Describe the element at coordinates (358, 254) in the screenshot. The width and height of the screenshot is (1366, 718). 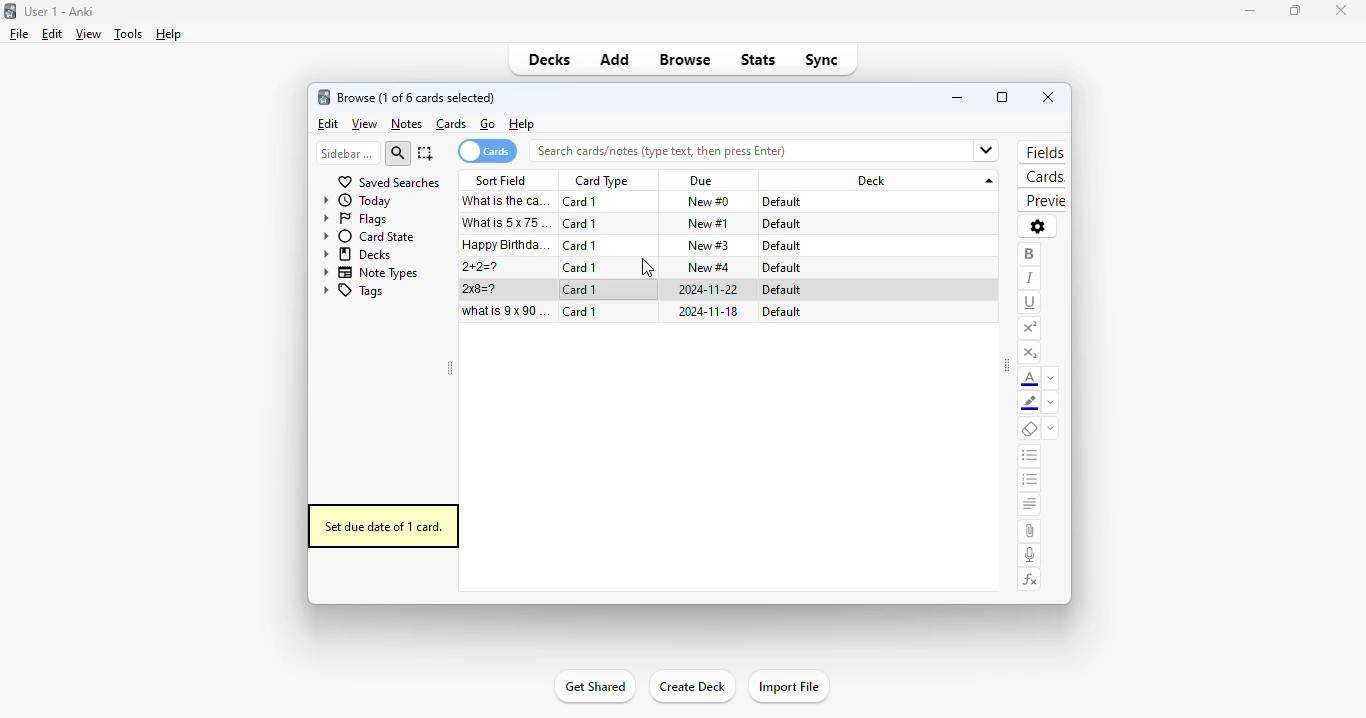
I see `decks` at that location.